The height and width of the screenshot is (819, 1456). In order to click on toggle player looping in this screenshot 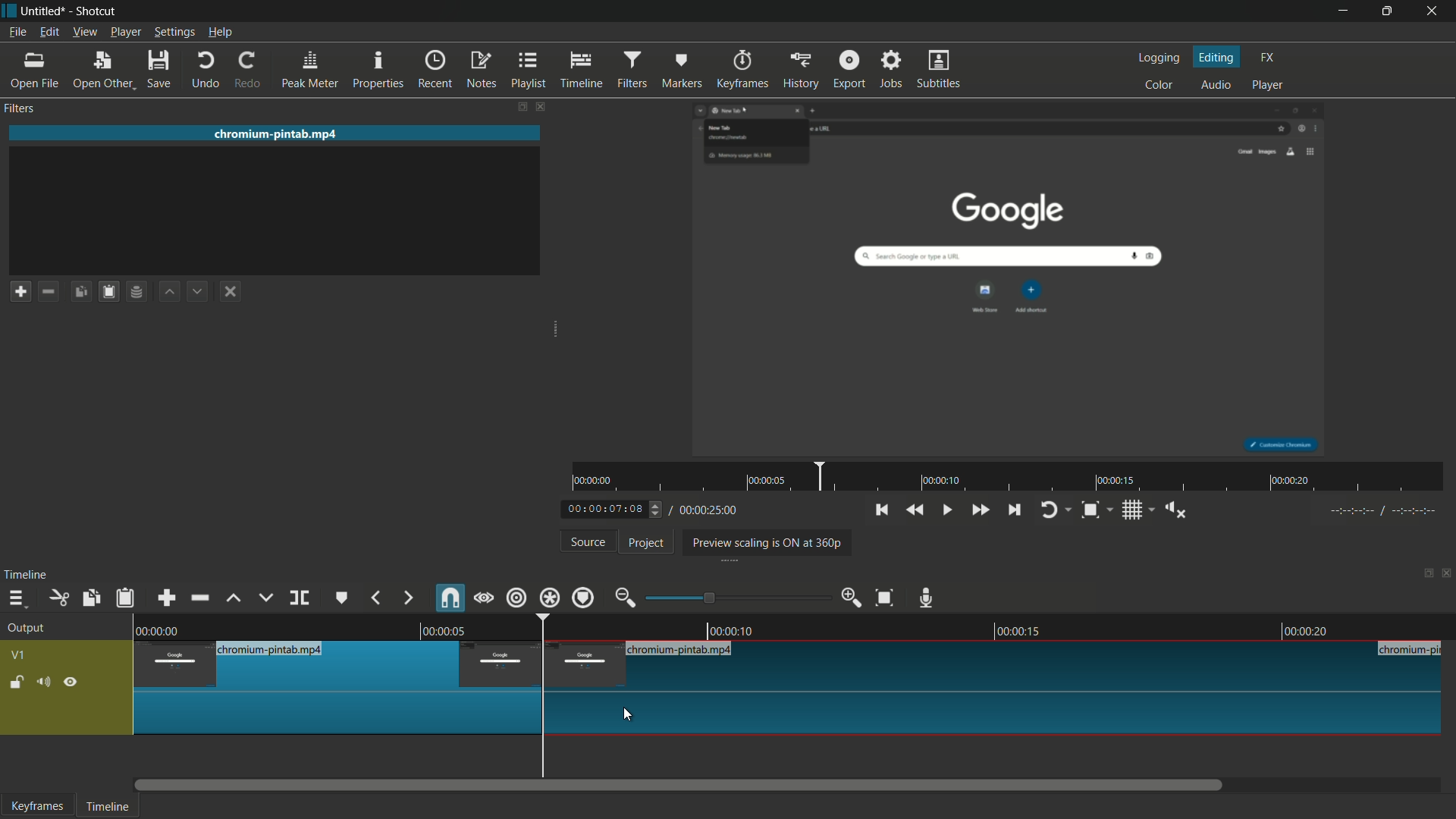, I will do `click(1049, 510)`.